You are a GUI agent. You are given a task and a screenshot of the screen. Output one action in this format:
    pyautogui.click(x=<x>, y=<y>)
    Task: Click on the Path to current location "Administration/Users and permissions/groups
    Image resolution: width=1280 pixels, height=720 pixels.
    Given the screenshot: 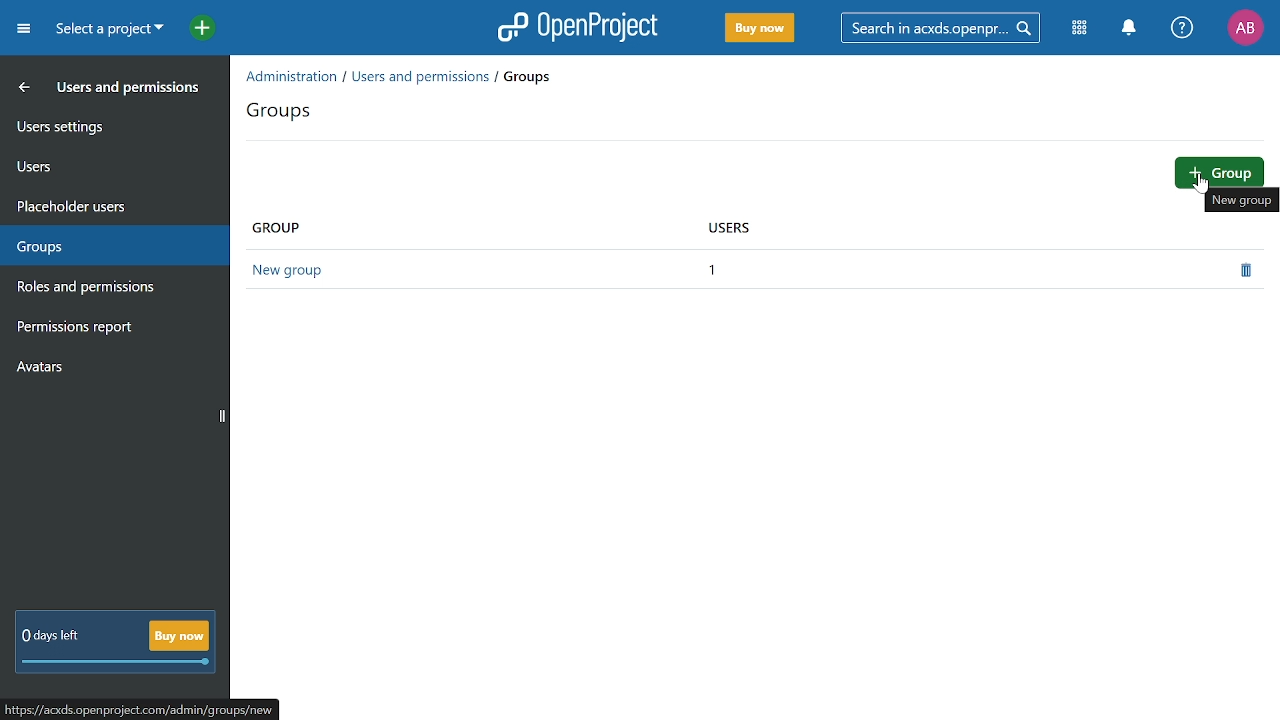 What is the action you would take?
    pyautogui.click(x=398, y=77)
    